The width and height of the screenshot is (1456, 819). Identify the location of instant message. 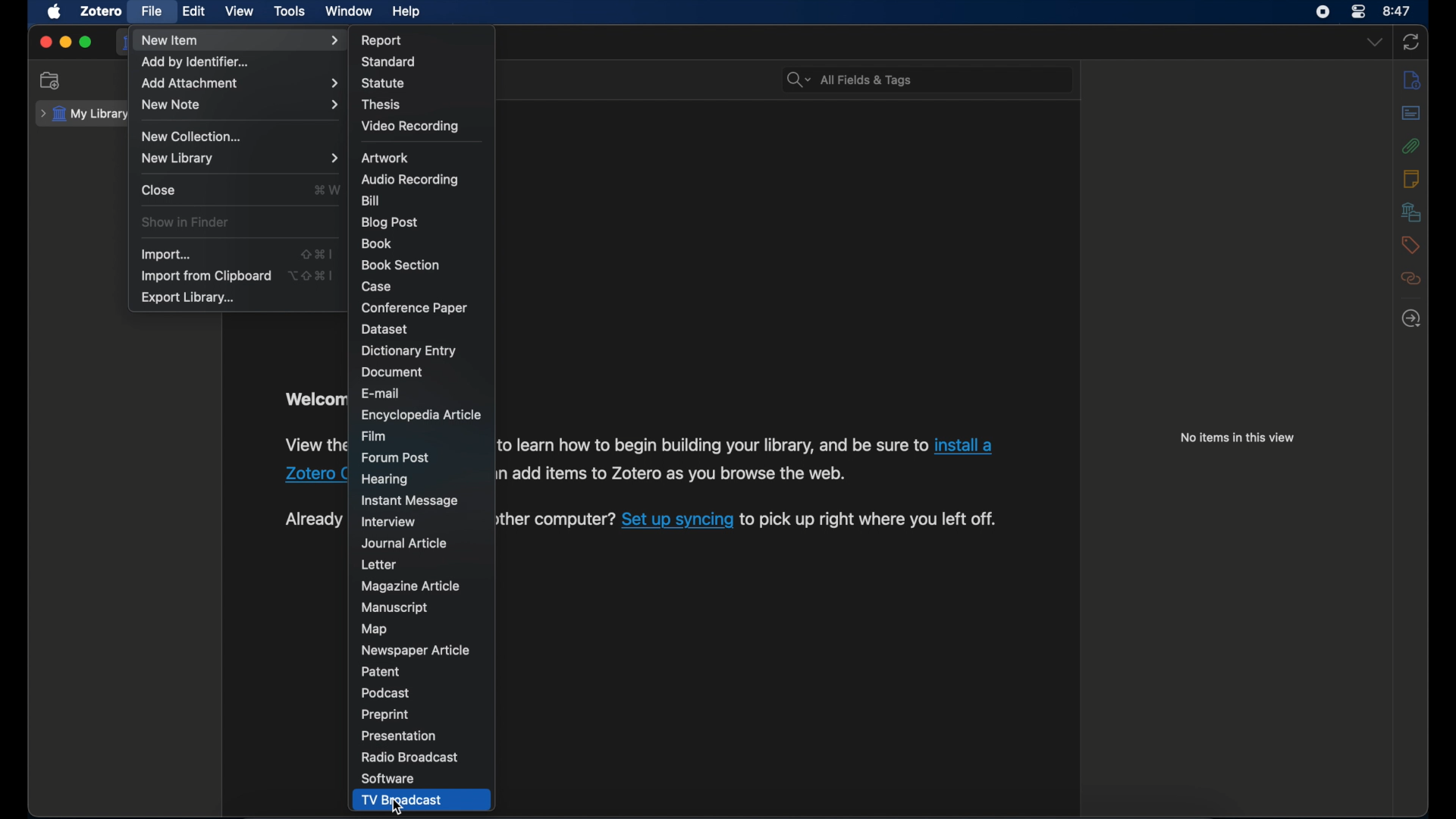
(409, 501).